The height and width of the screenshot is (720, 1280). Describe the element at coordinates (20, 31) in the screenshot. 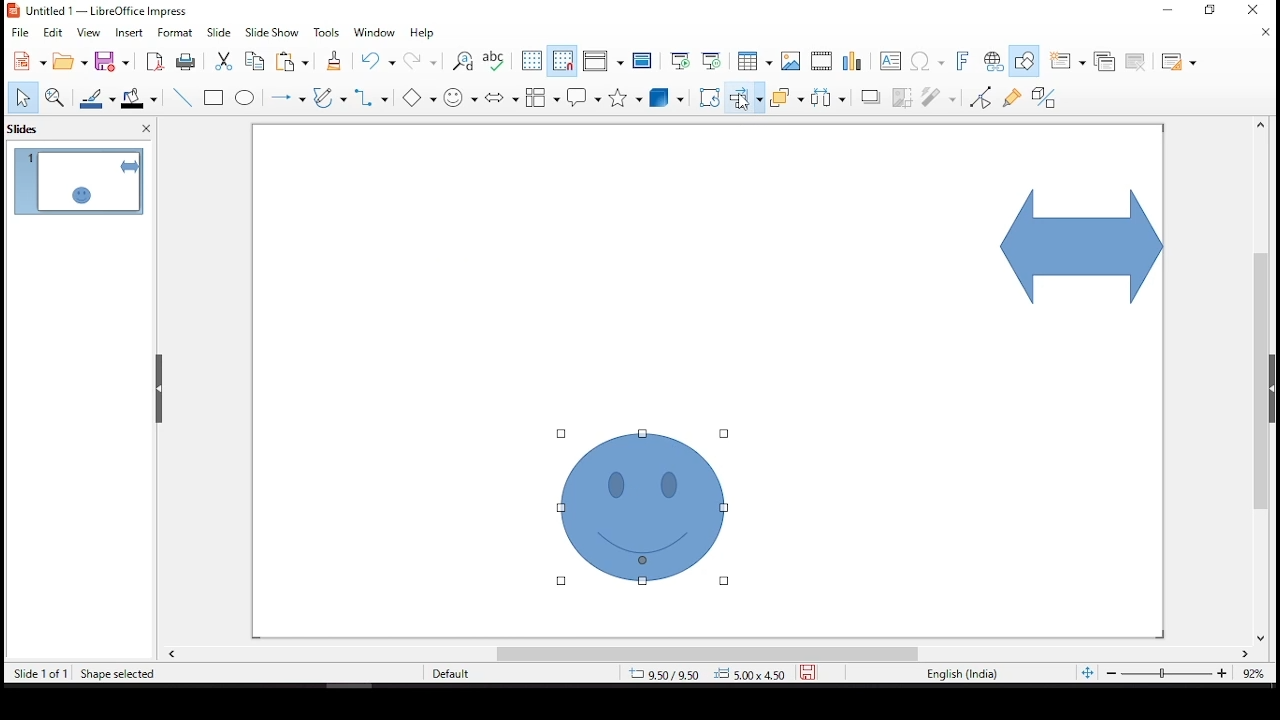

I see `file` at that location.